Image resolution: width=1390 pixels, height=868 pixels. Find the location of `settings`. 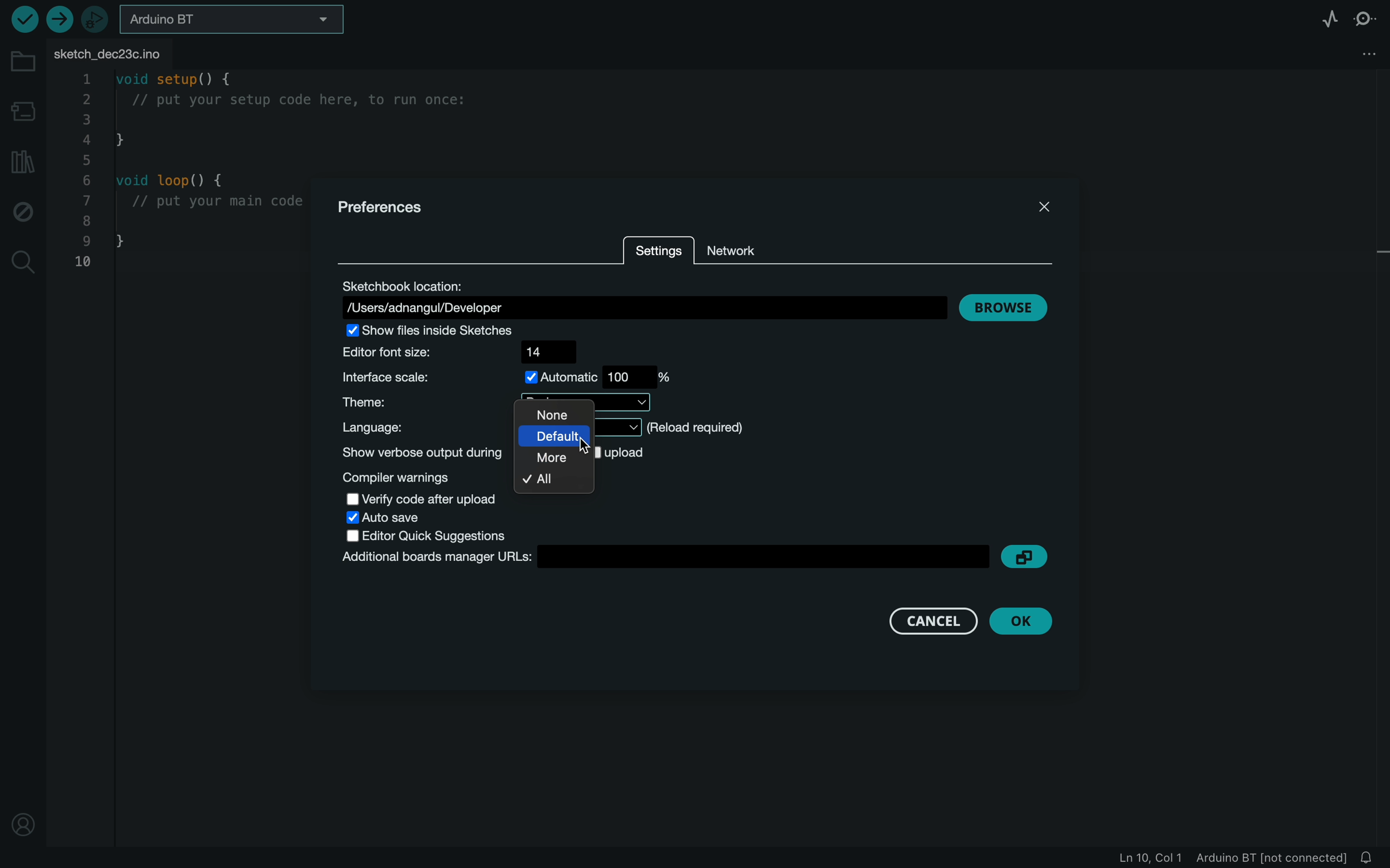

settings is located at coordinates (658, 253).